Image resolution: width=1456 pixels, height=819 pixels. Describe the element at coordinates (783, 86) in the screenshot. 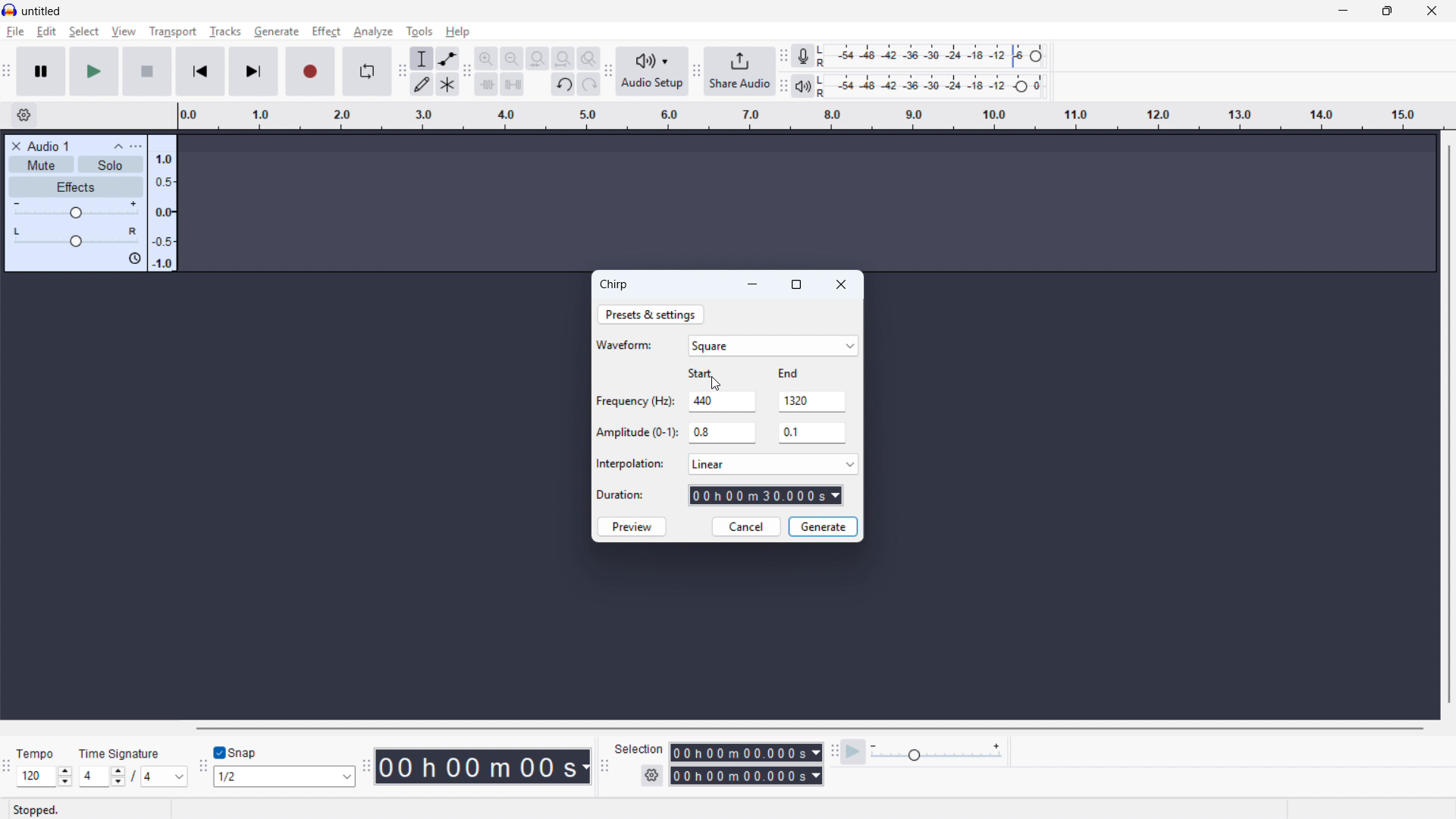

I see `Playback metre toolbar ` at that location.